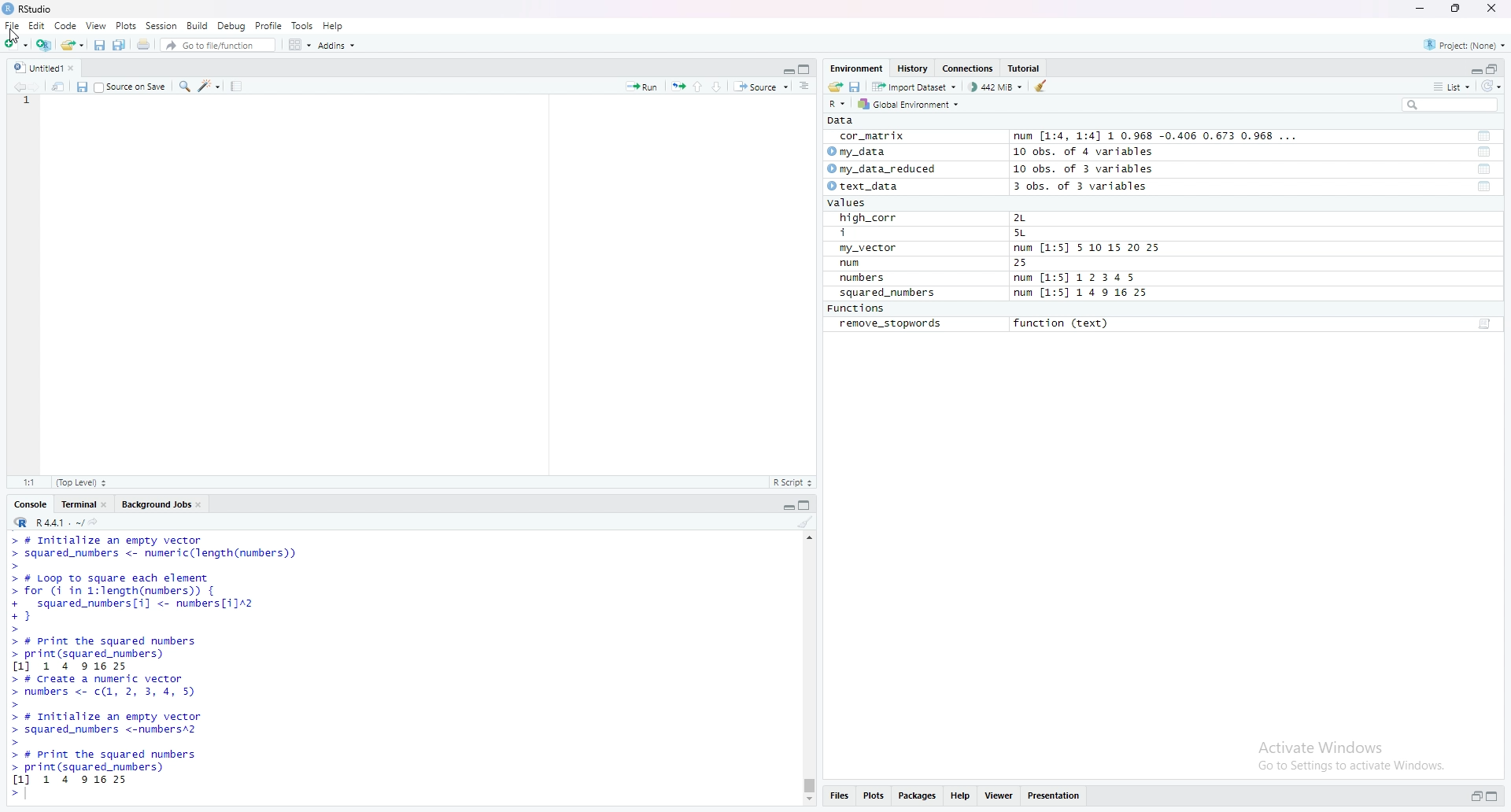 Image resolution: width=1511 pixels, height=812 pixels. What do you see at coordinates (807, 802) in the screenshot?
I see `Scrollbar down` at bounding box center [807, 802].